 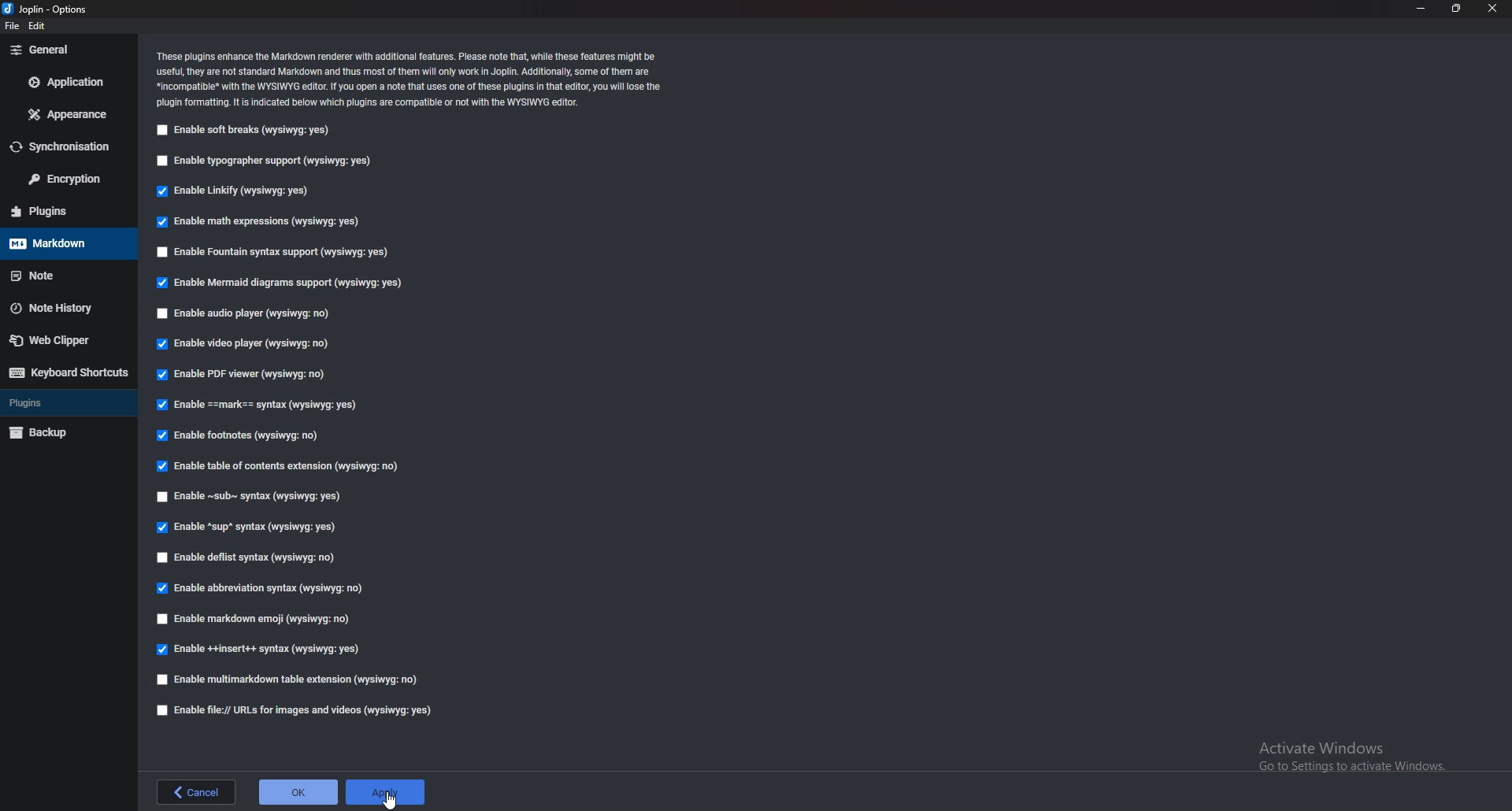 I want to click on Backup, so click(x=62, y=434).